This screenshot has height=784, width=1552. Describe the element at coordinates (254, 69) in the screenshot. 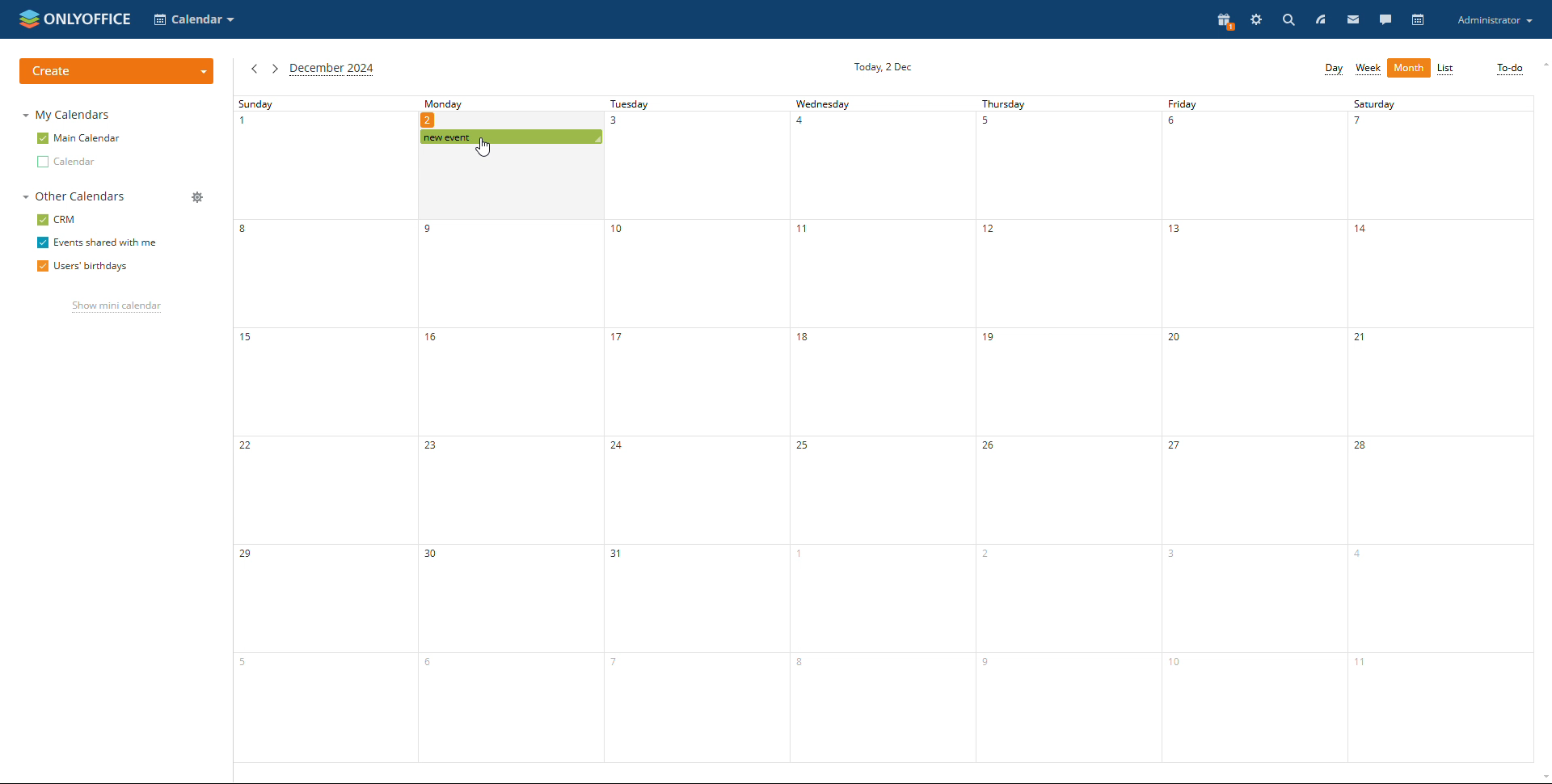

I see `previous month` at that location.